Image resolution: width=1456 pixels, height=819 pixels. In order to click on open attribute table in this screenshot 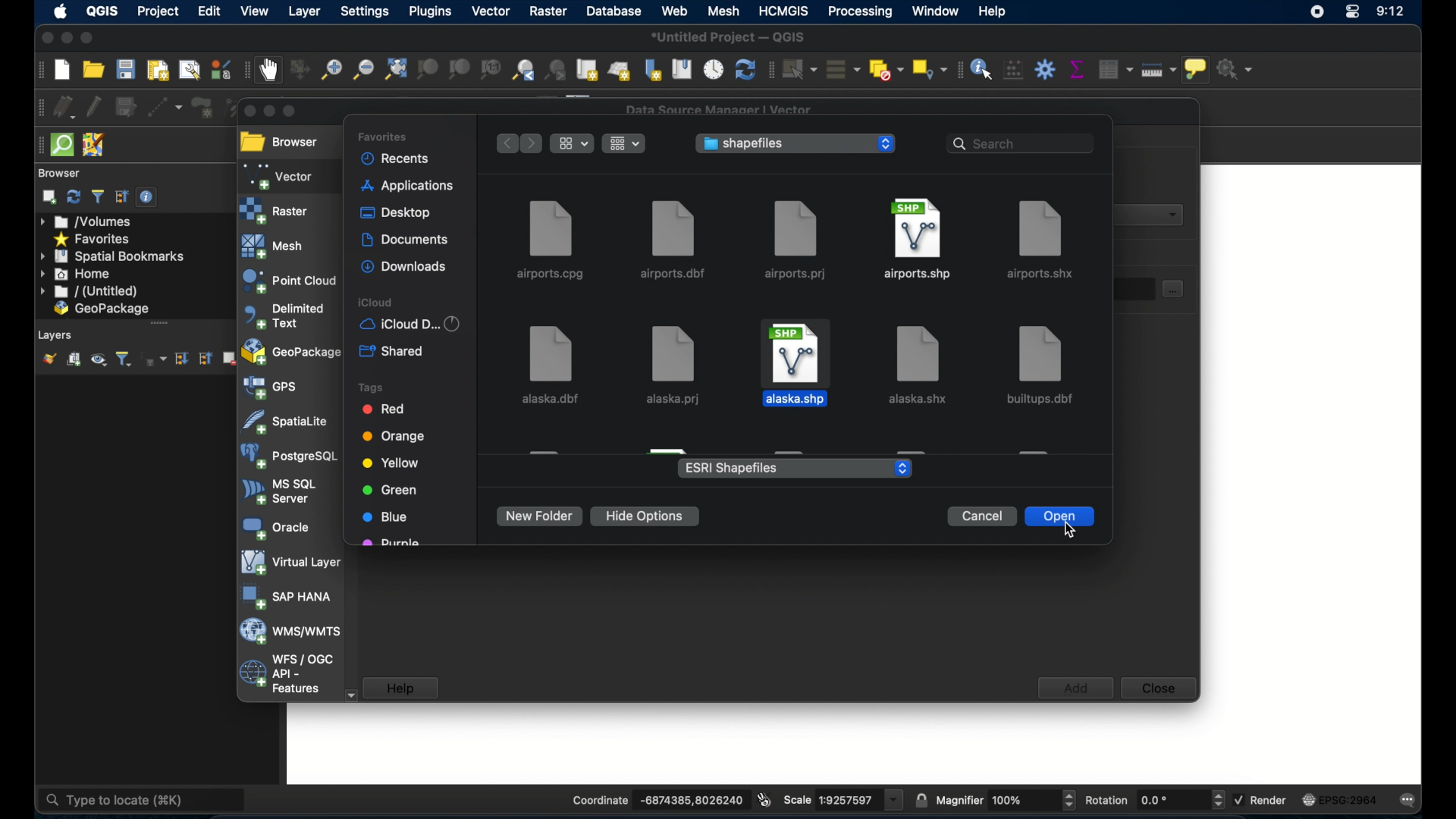, I will do `click(1117, 69)`.